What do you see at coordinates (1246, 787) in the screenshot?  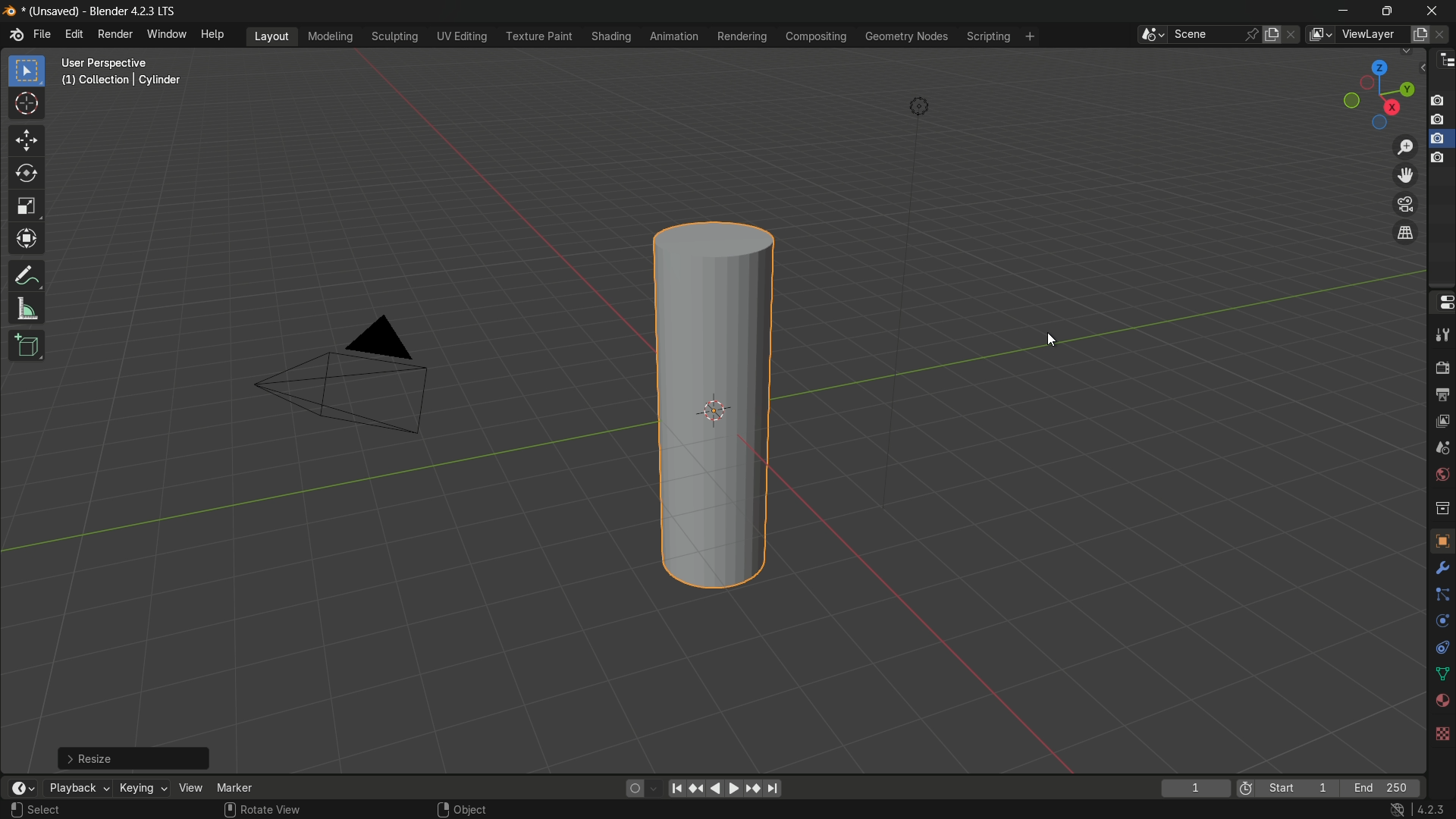 I see `icon` at bounding box center [1246, 787].